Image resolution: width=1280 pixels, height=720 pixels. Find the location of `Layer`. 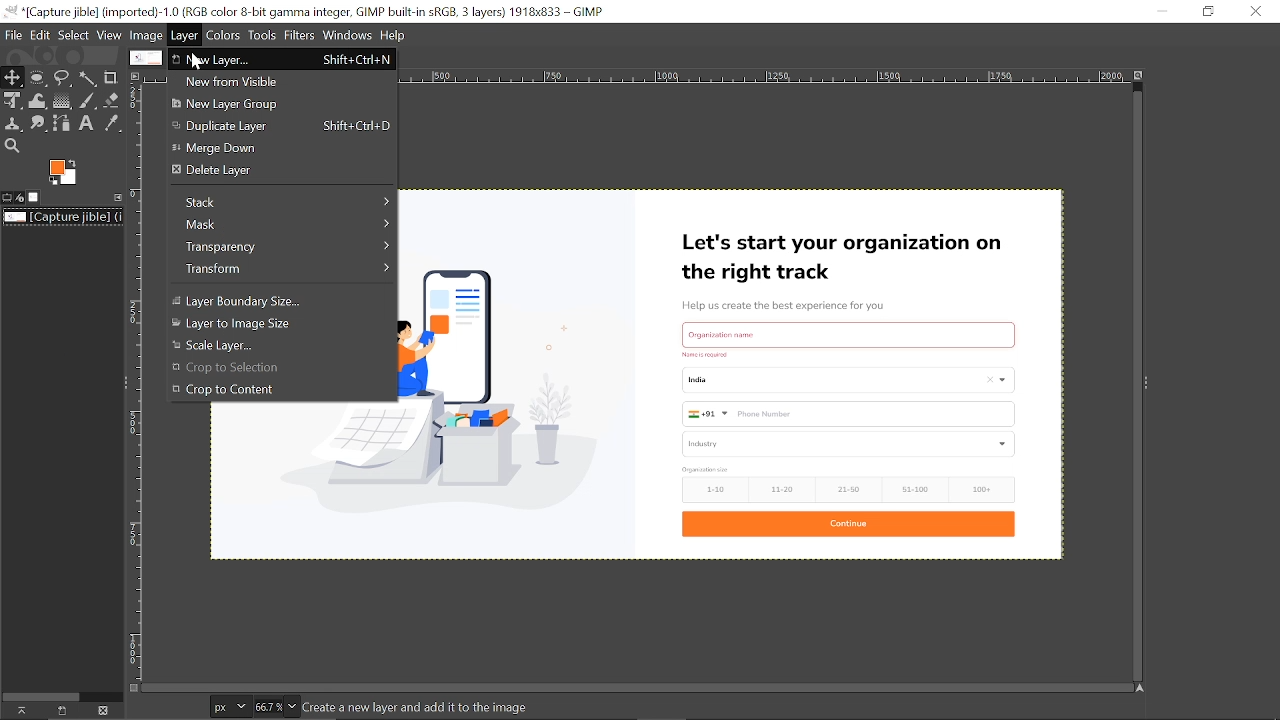

Layer is located at coordinates (186, 34).